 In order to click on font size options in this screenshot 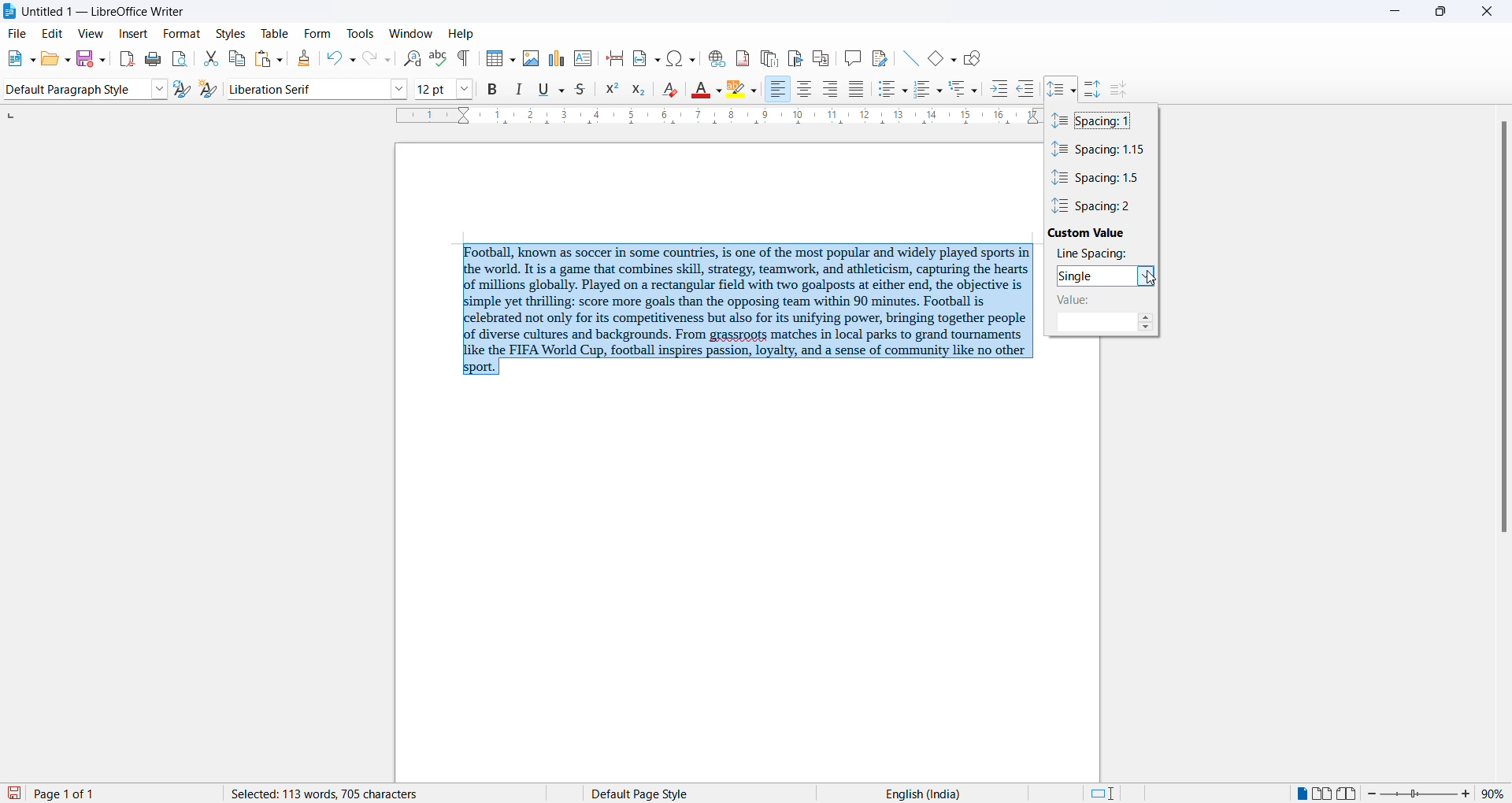, I will do `click(465, 89)`.